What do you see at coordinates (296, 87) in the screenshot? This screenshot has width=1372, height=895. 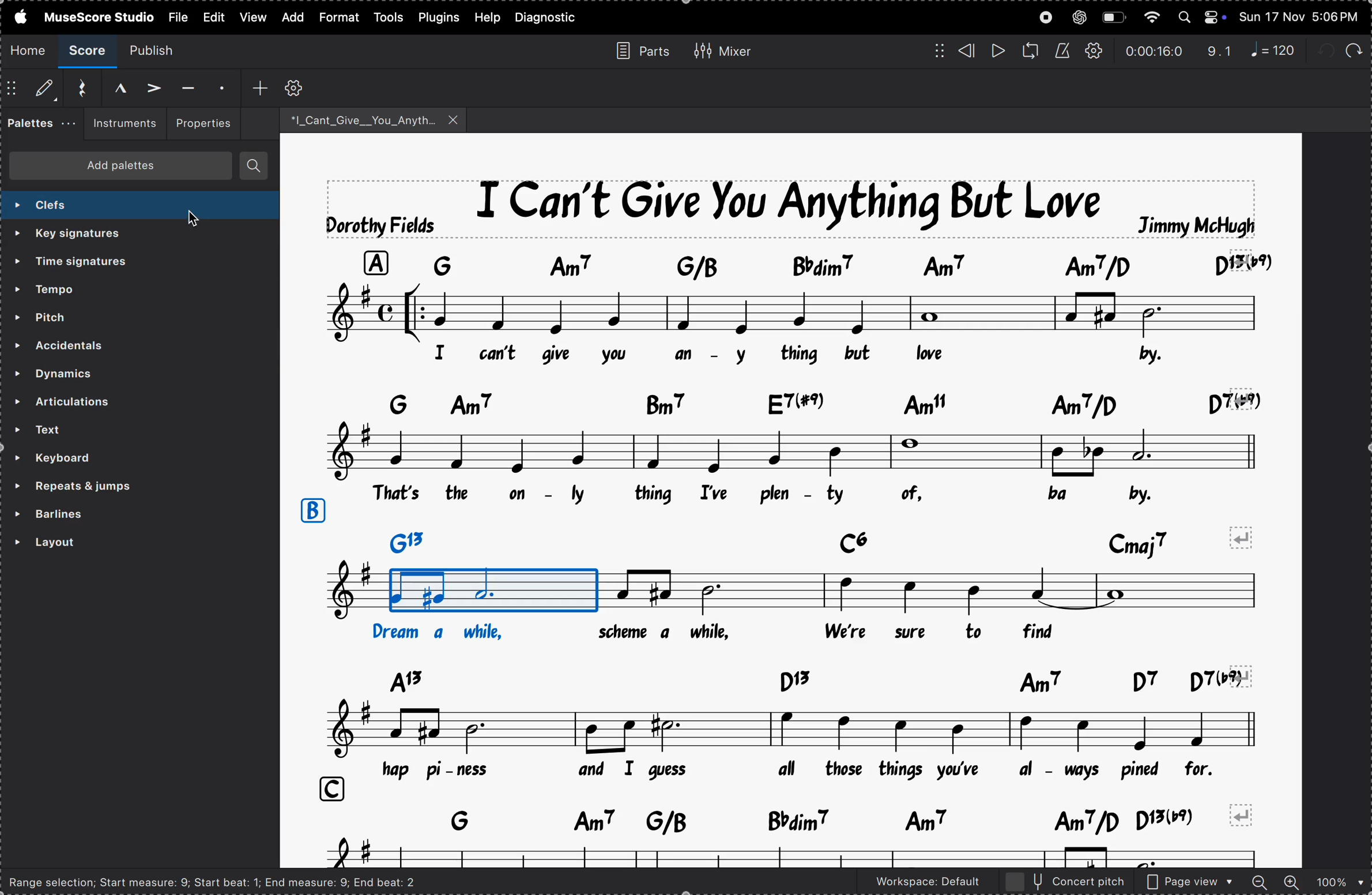 I see `customize toolbar` at bounding box center [296, 87].